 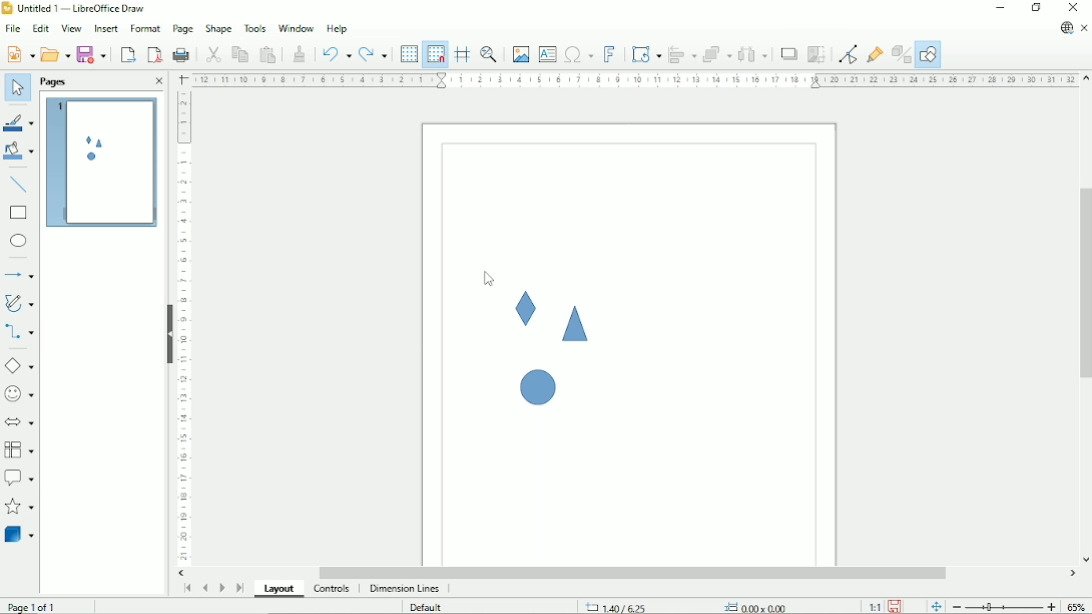 I want to click on Update available, so click(x=1066, y=28).